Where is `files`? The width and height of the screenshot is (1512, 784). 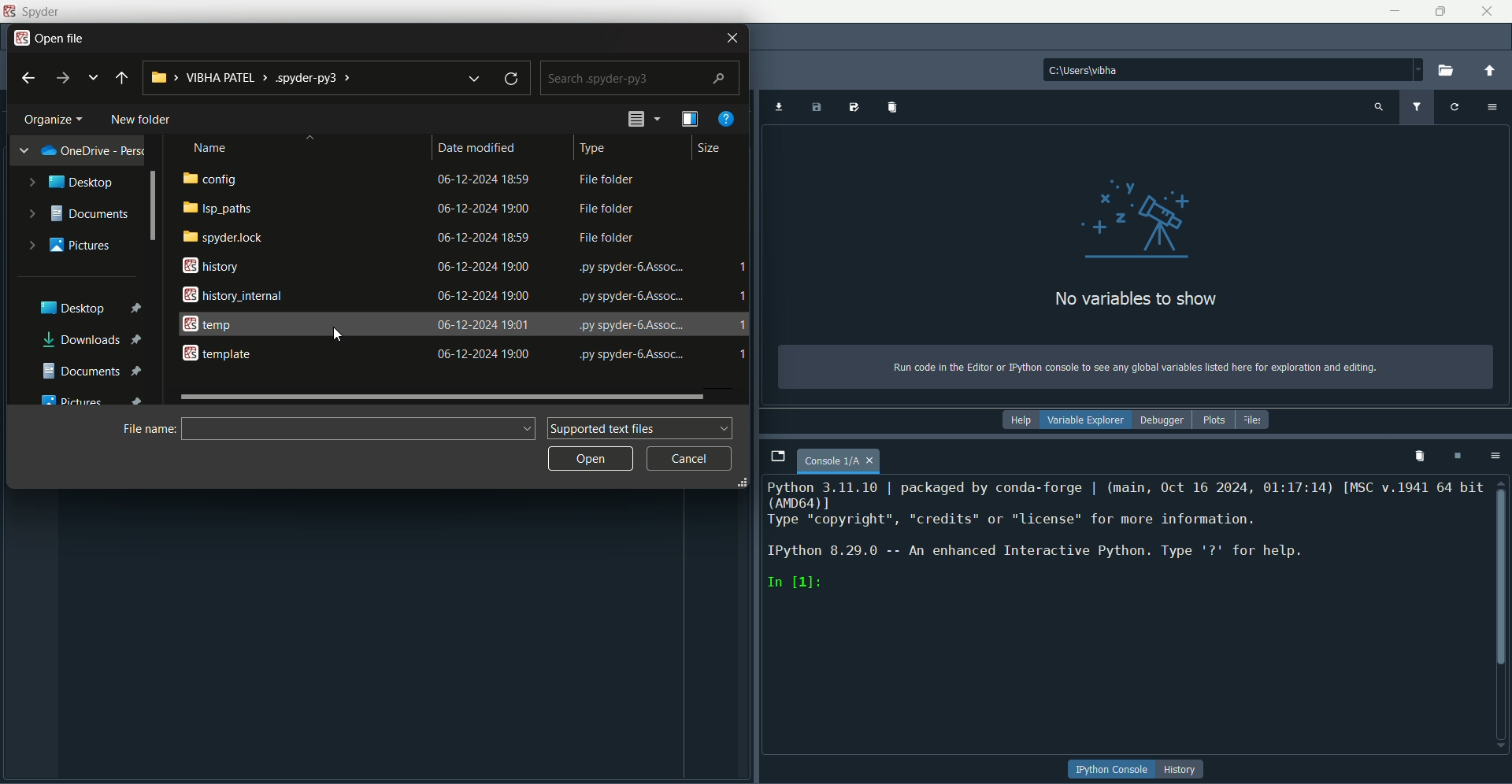 files is located at coordinates (1254, 419).